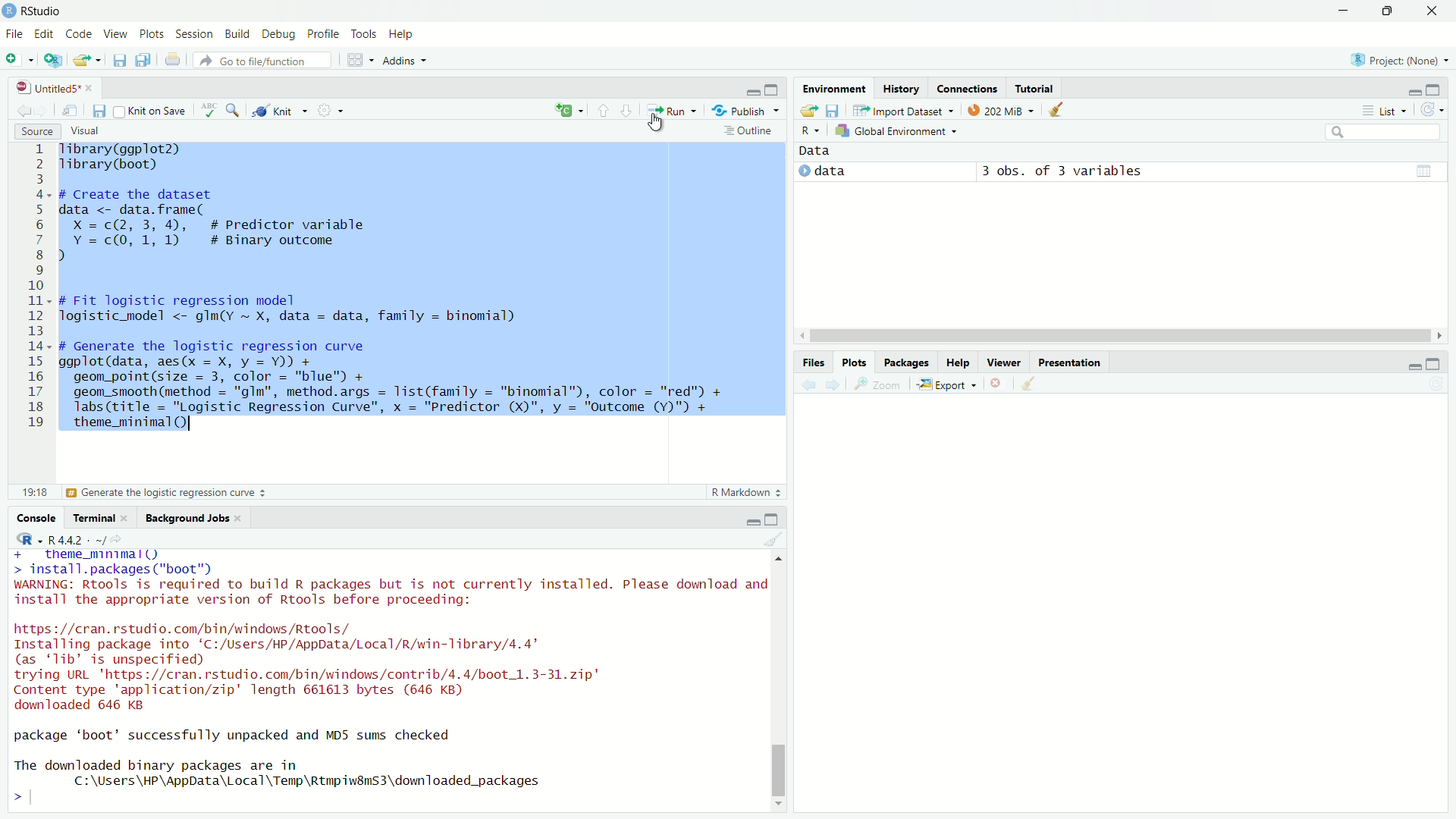 The height and width of the screenshot is (819, 1456). What do you see at coordinates (322, 33) in the screenshot?
I see `Profile` at bounding box center [322, 33].